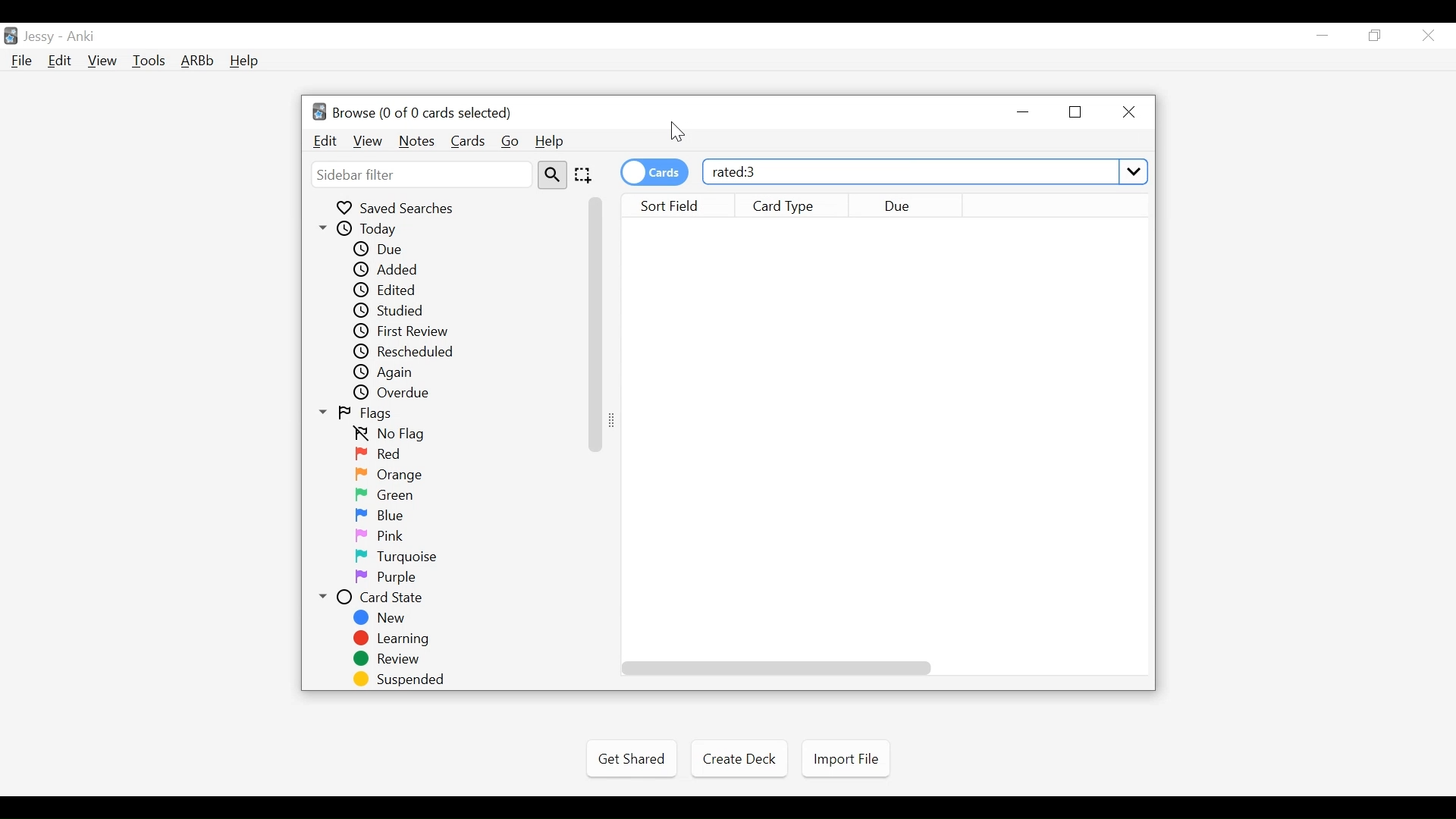 The image size is (1456, 819). I want to click on Horizontal Scroll bar, so click(597, 323).